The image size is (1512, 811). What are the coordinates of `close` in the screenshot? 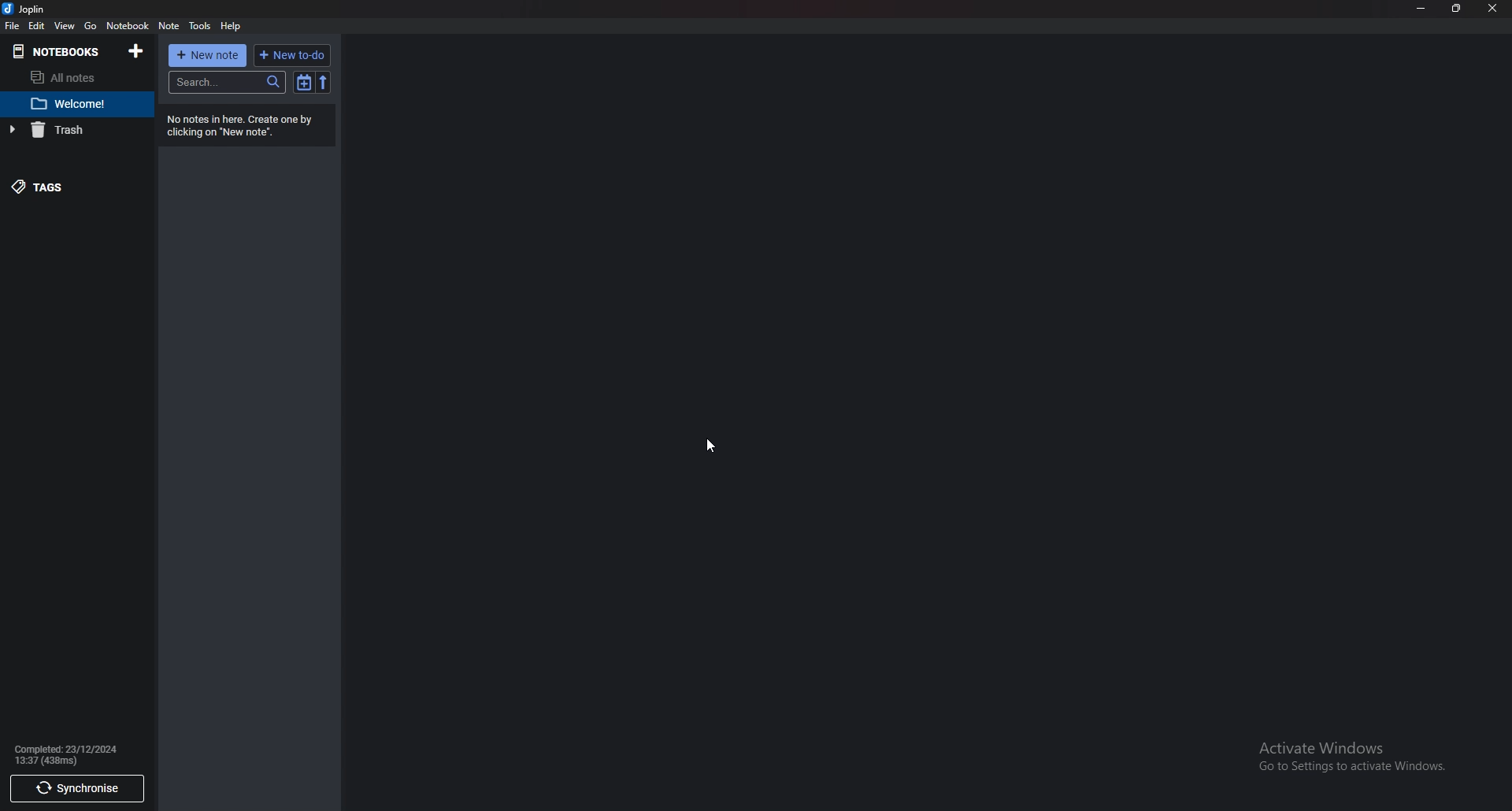 It's located at (1491, 8).